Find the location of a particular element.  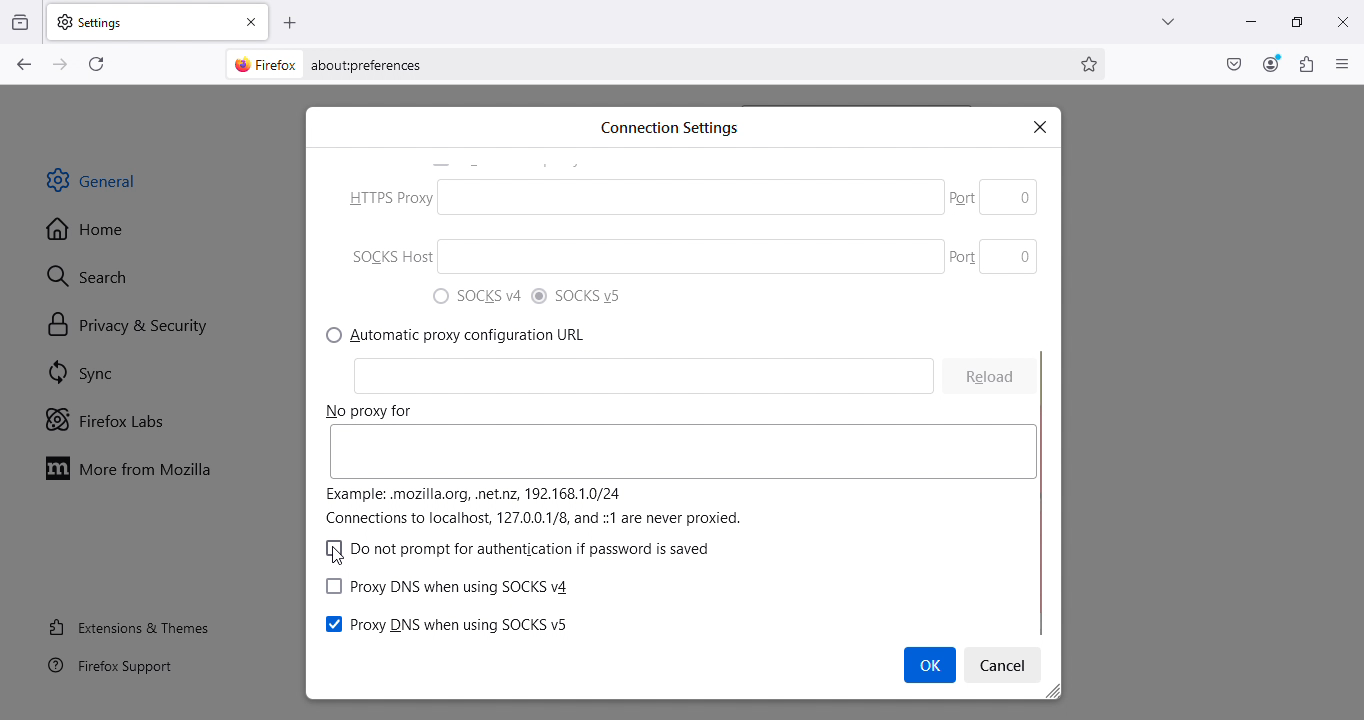

Part 0 is located at coordinates (990, 254).